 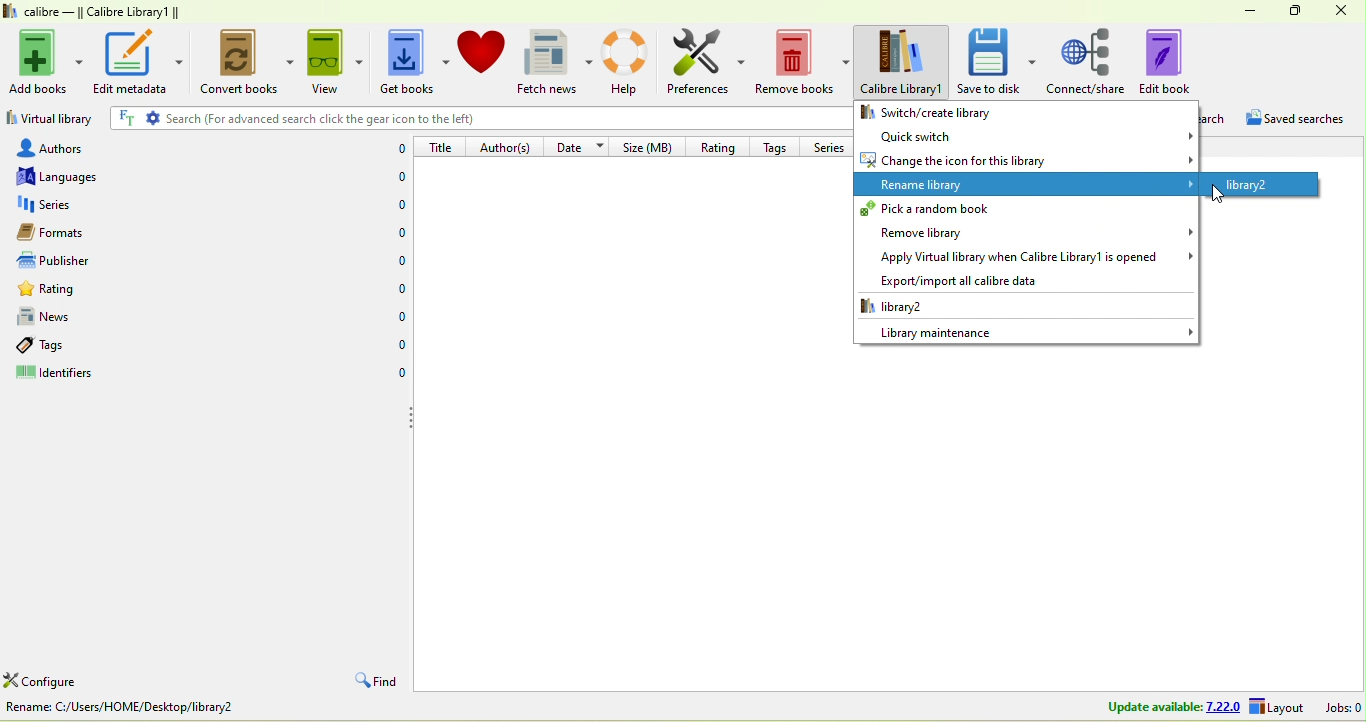 I want to click on 0, so click(x=396, y=346).